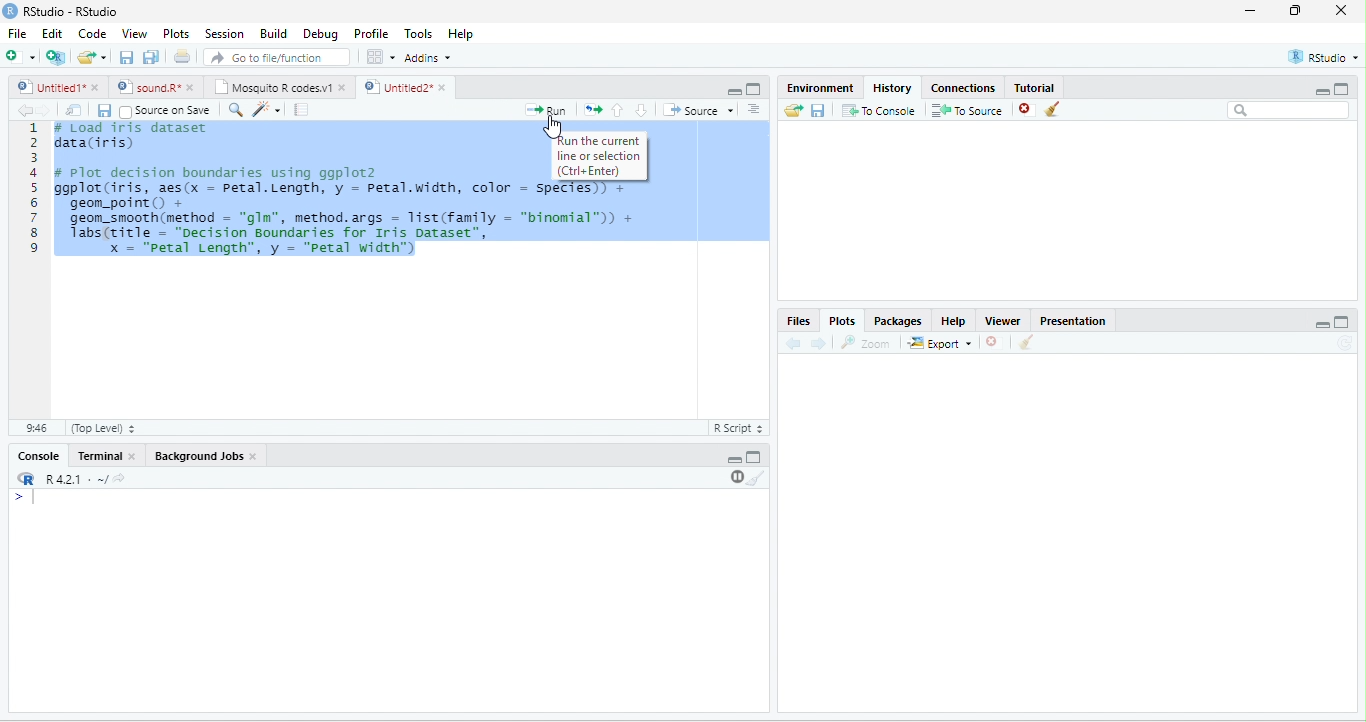 The width and height of the screenshot is (1366, 722). I want to click on Zoom, so click(864, 343).